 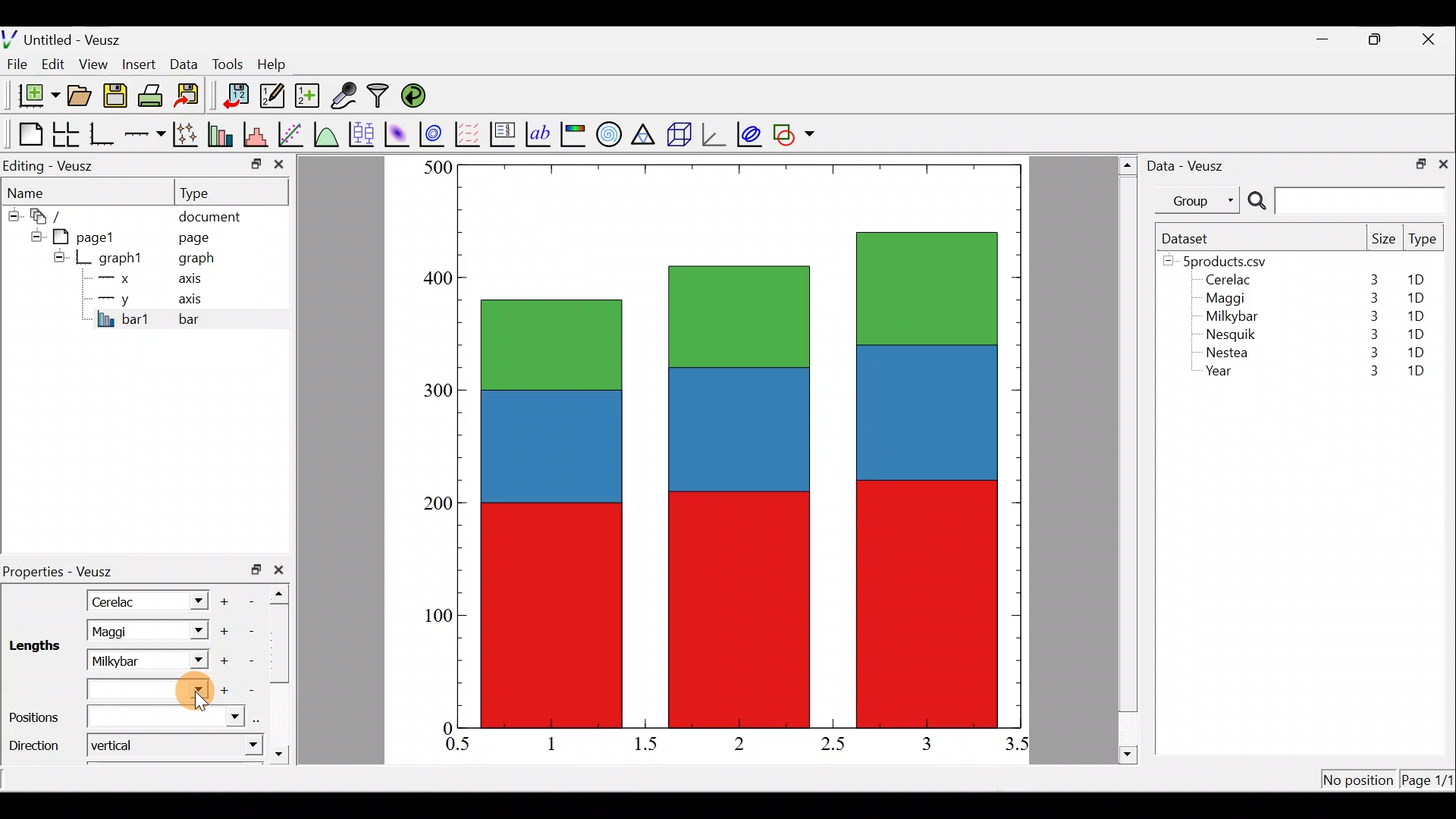 I want to click on Reload linked datasets, so click(x=417, y=95).